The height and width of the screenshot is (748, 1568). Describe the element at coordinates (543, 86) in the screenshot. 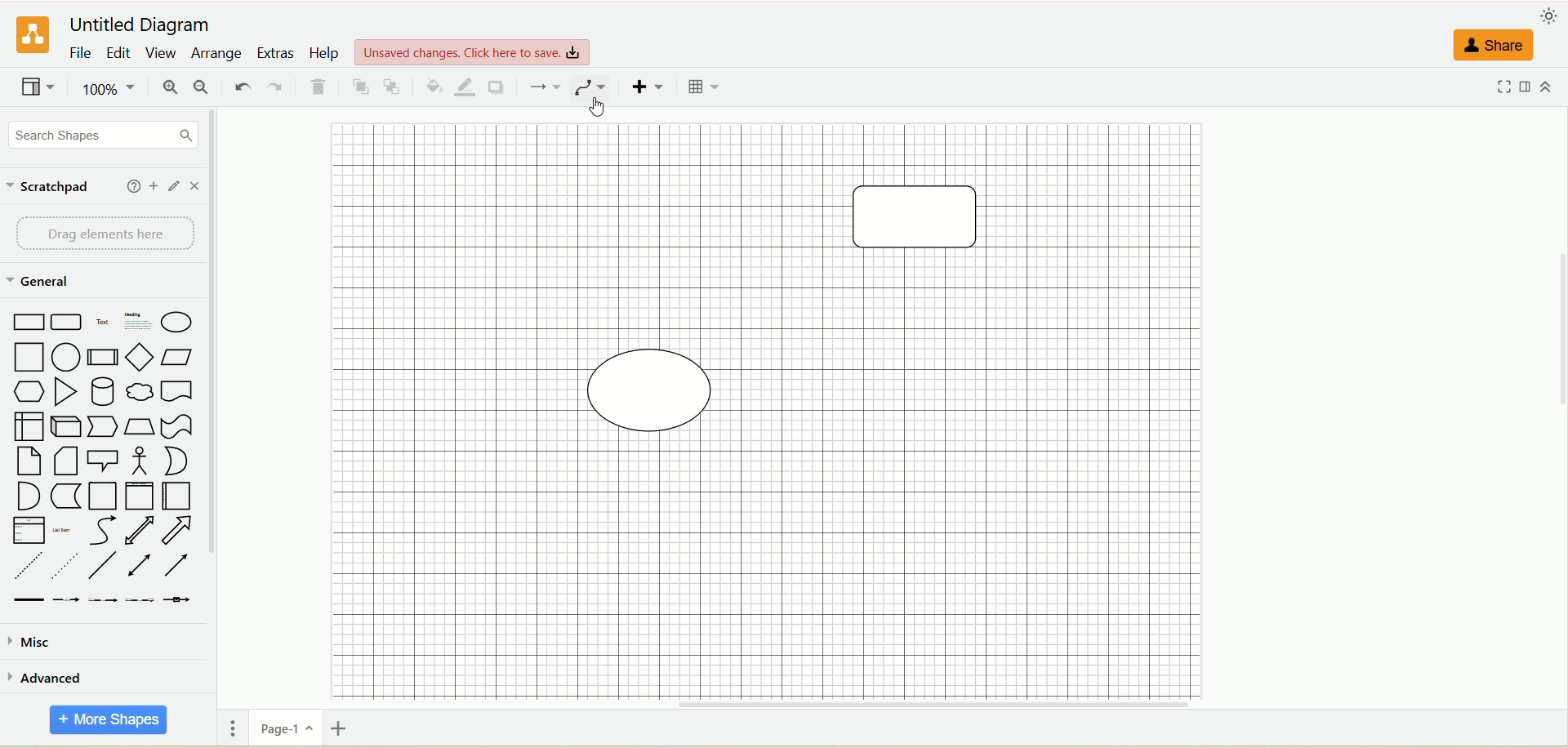

I see `connection` at that location.